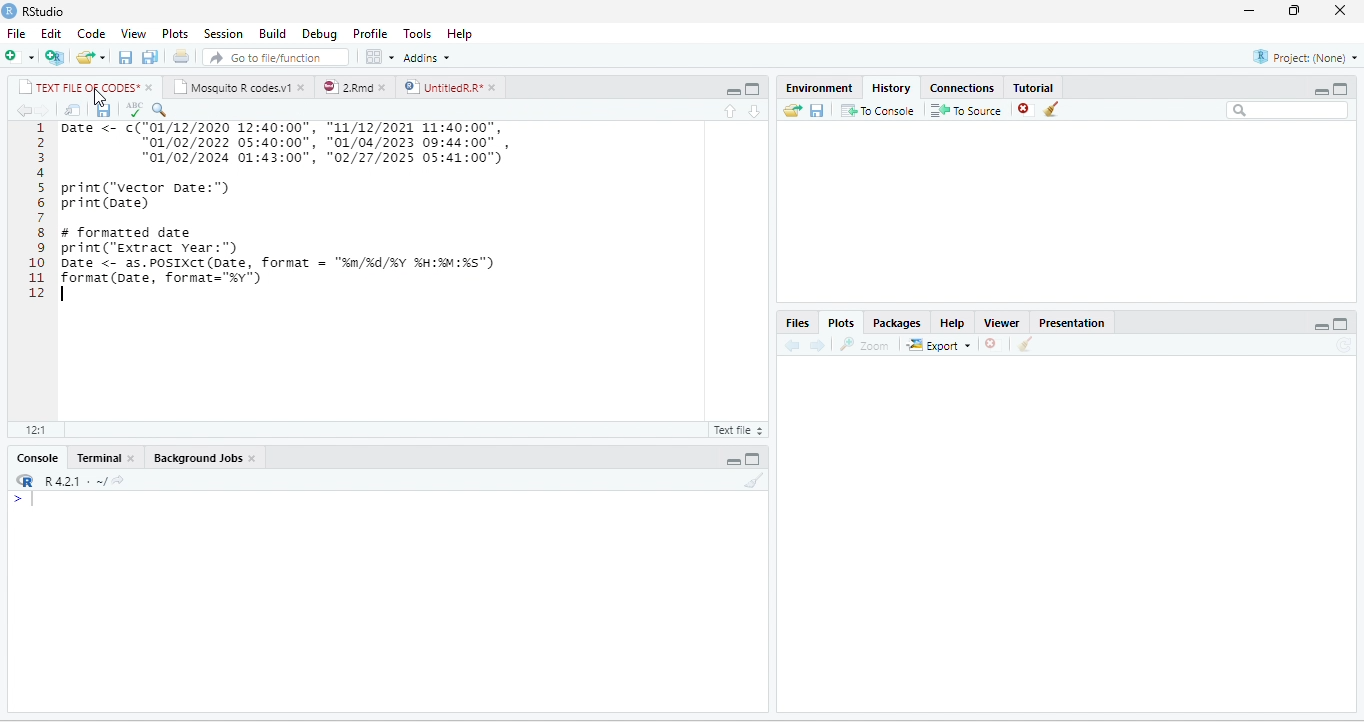 This screenshot has width=1364, height=722. Describe the element at coordinates (97, 458) in the screenshot. I see `Terminal ` at that location.